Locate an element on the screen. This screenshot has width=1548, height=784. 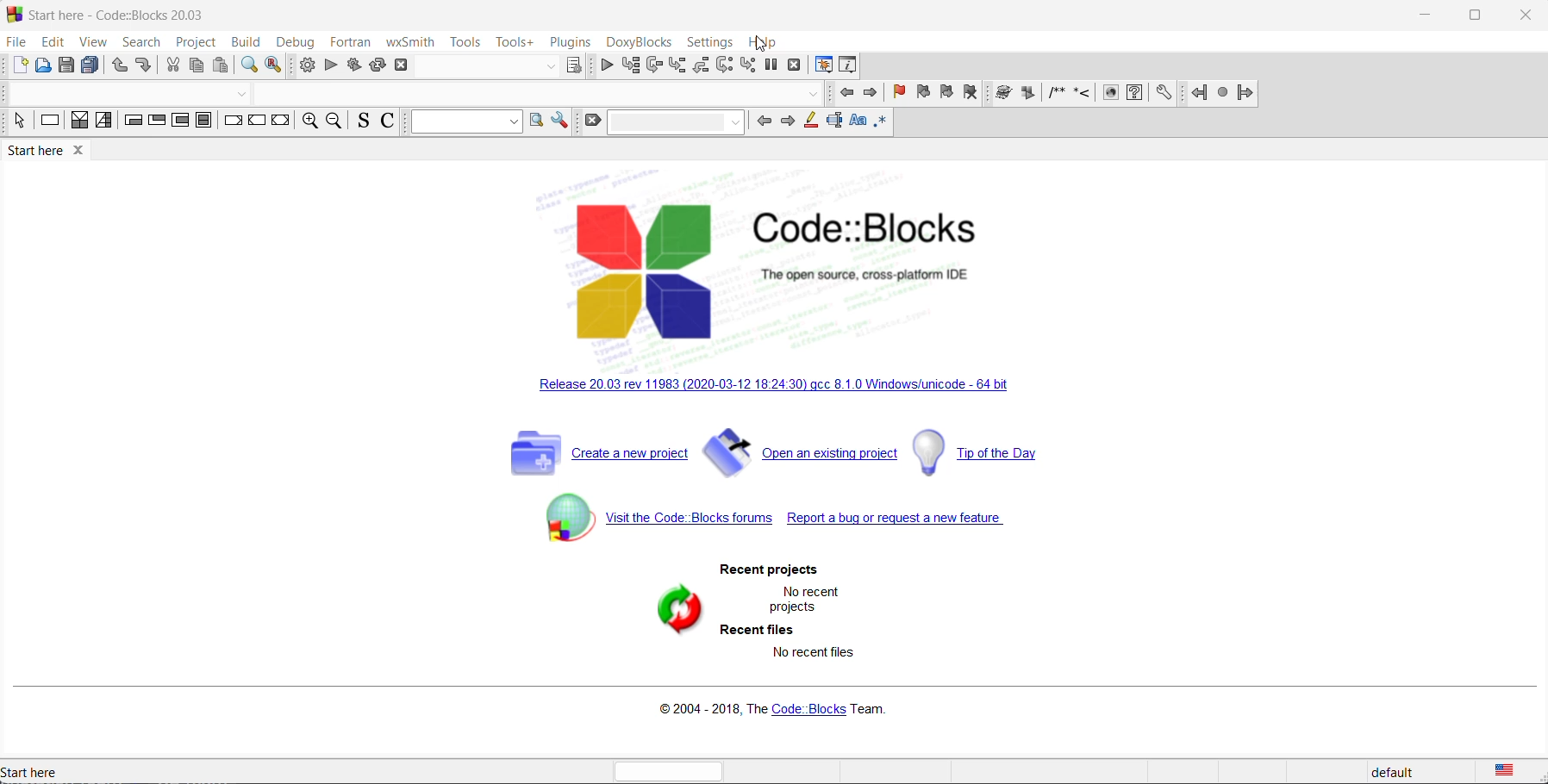
return instruction is located at coordinates (282, 122).